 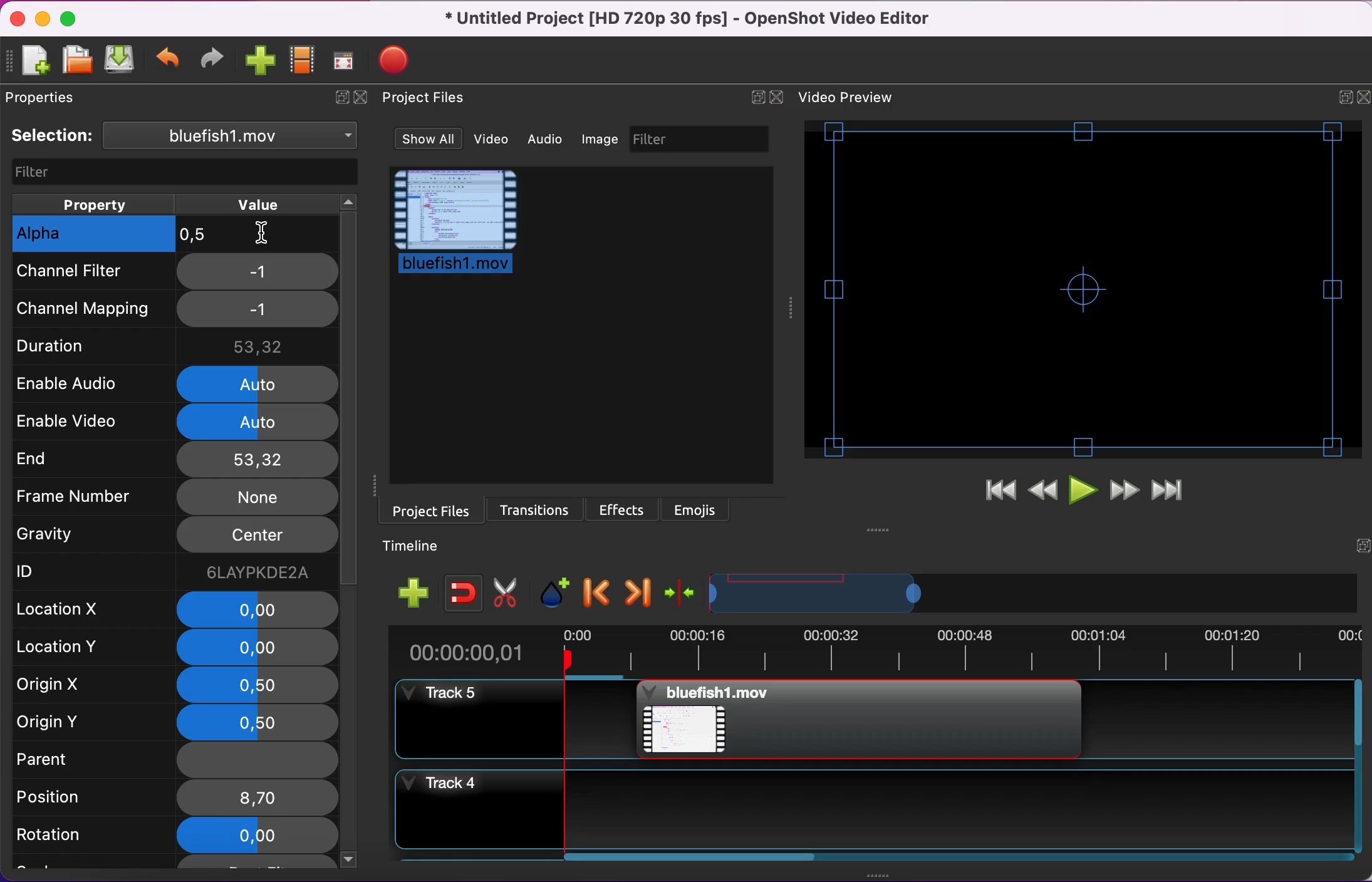 I want to click on Vertical slide bar, so click(x=1358, y=765).